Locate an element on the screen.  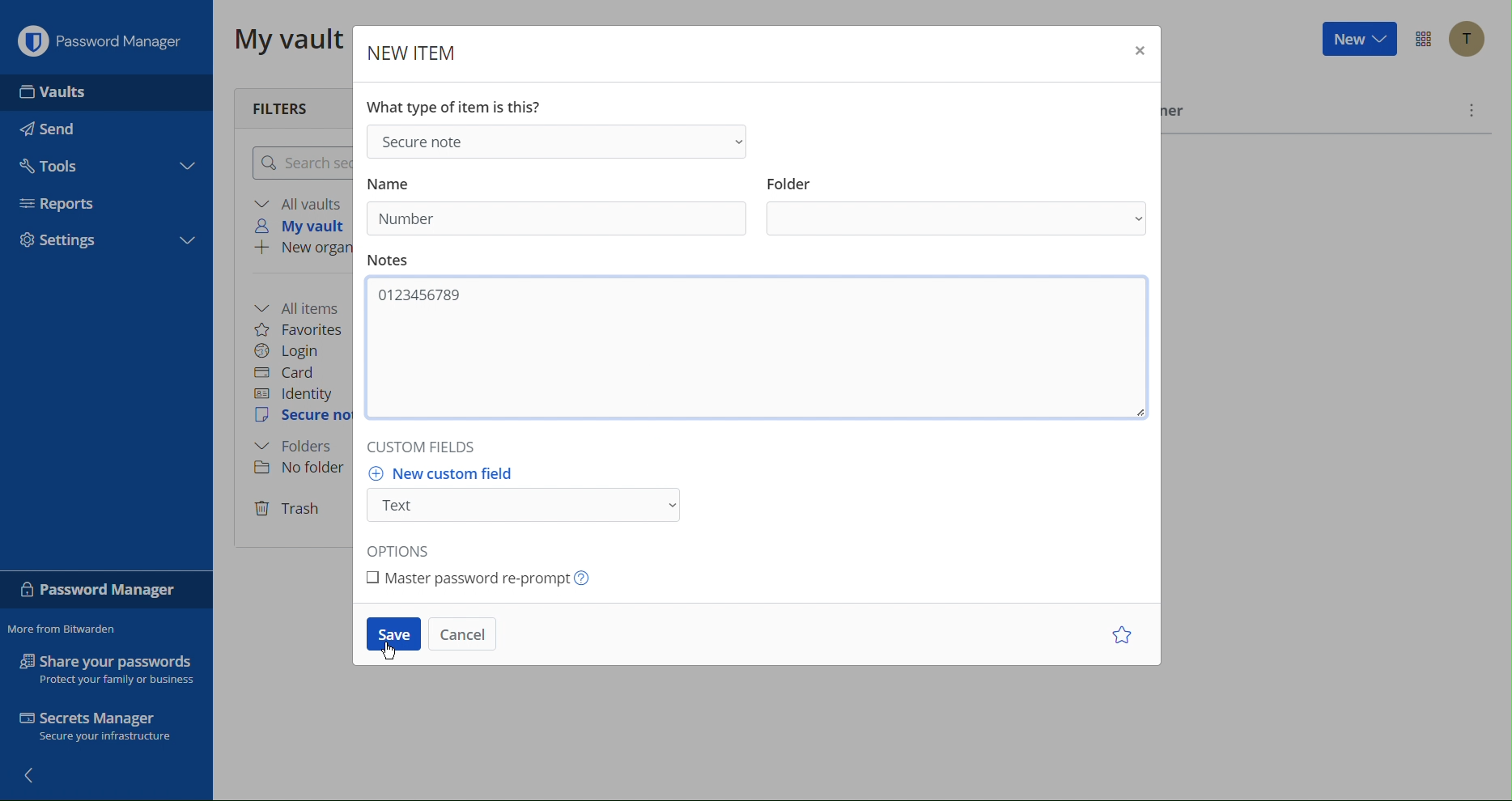
Owner is located at coordinates (1179, 114).